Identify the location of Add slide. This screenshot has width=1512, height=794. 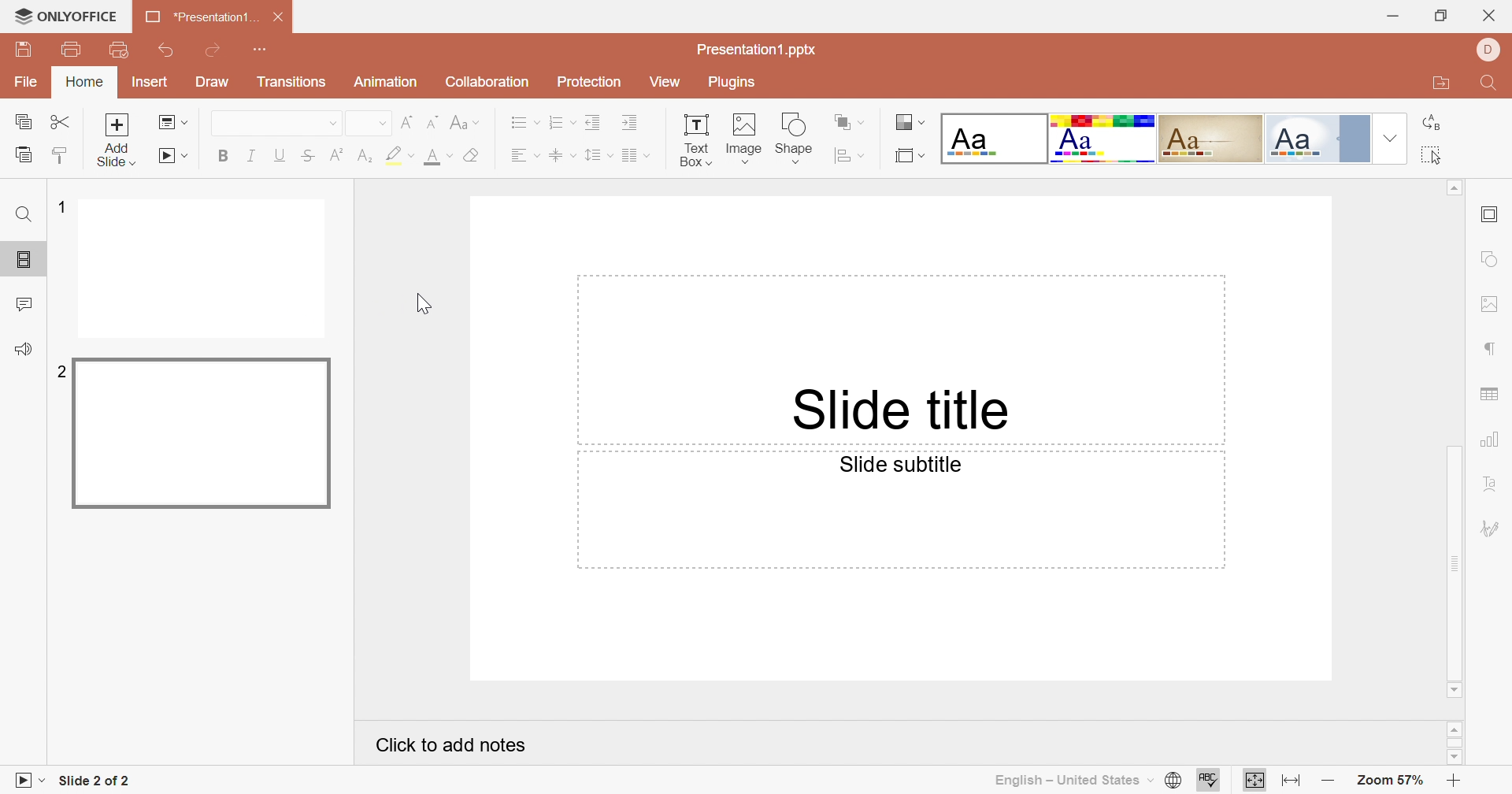
(117, 139).